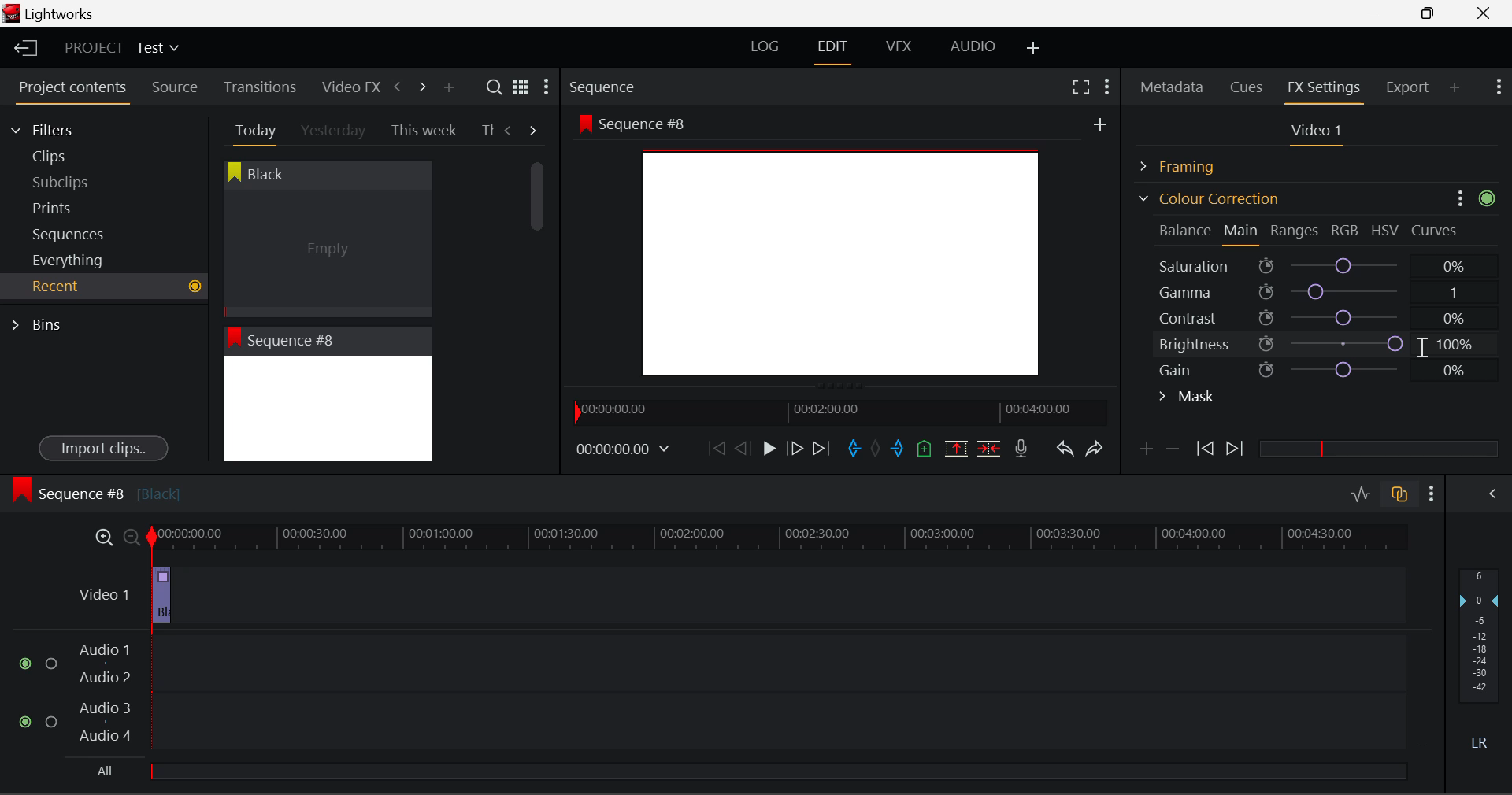  What do you see at coordinates (42, 323) in the screenshot?
I see `Bins` at bounding box center [42, 323].